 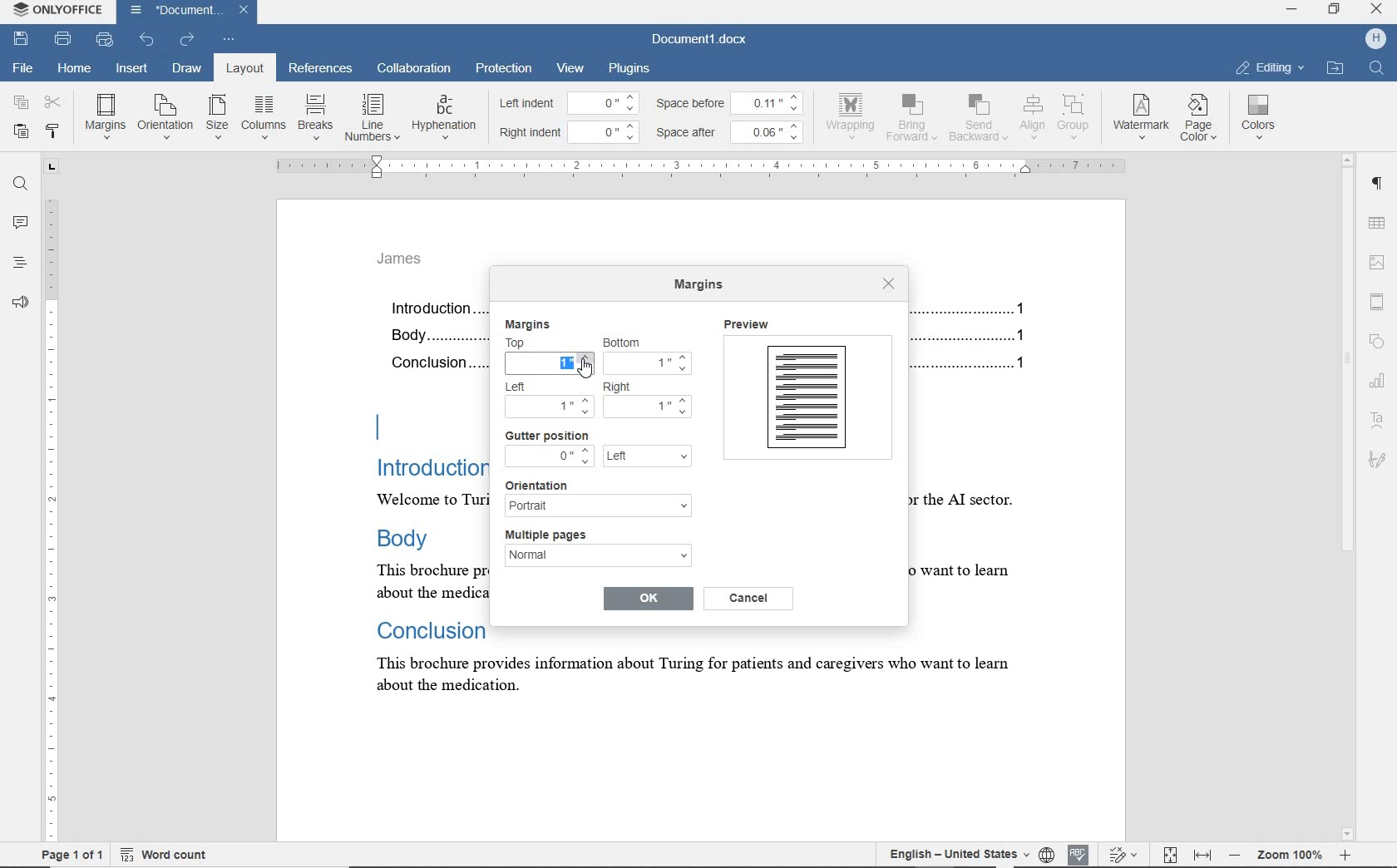 What do you see at coordinates (321, 70) in the screenshot?
I see `references` at bounding box center [321, 70].